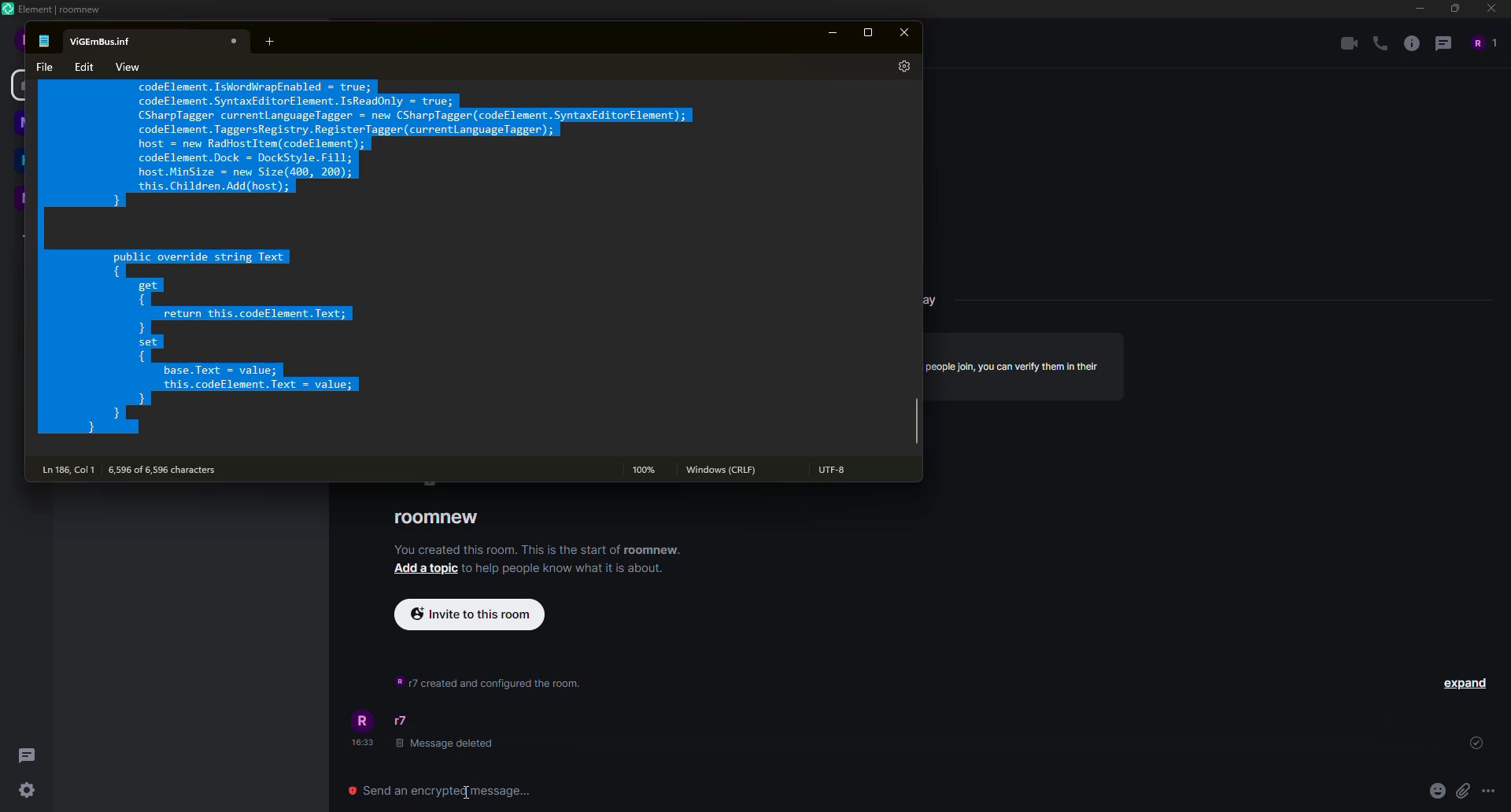 The height and width of the screenshot is (812, 1511). What do you see at coordinates (1483, 42) in the screenshot?
I see `people` at bounding box center [1483, 42].